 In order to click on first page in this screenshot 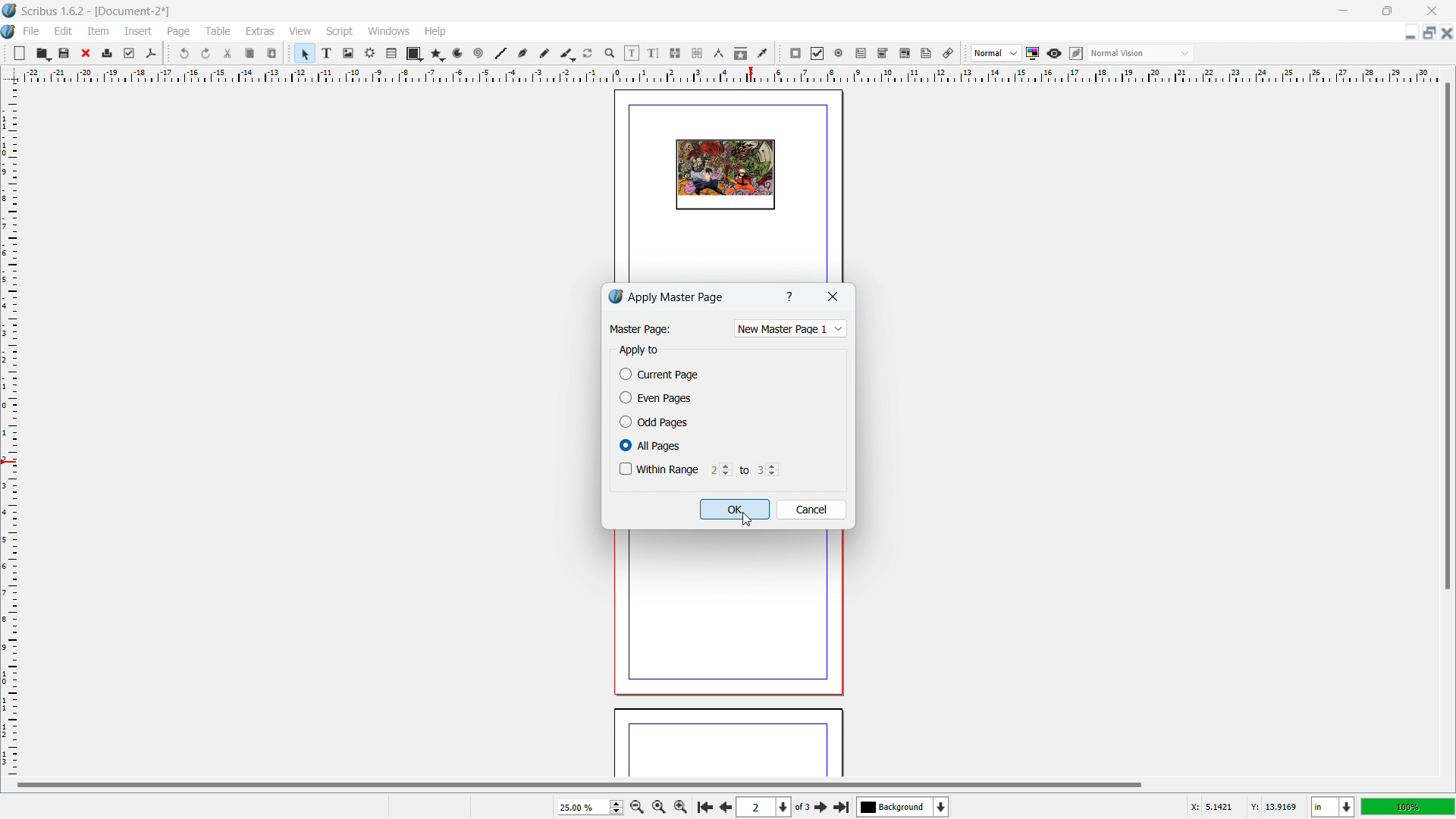, I will do `click(704, 805)`.